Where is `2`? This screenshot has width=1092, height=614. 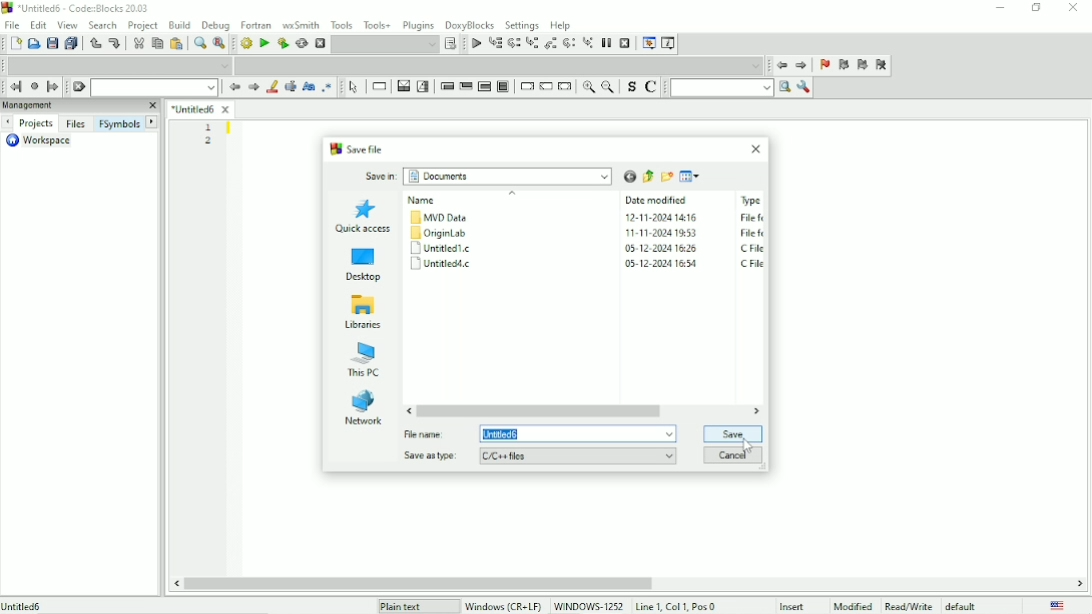
2 is located at coordinates (208, 141).